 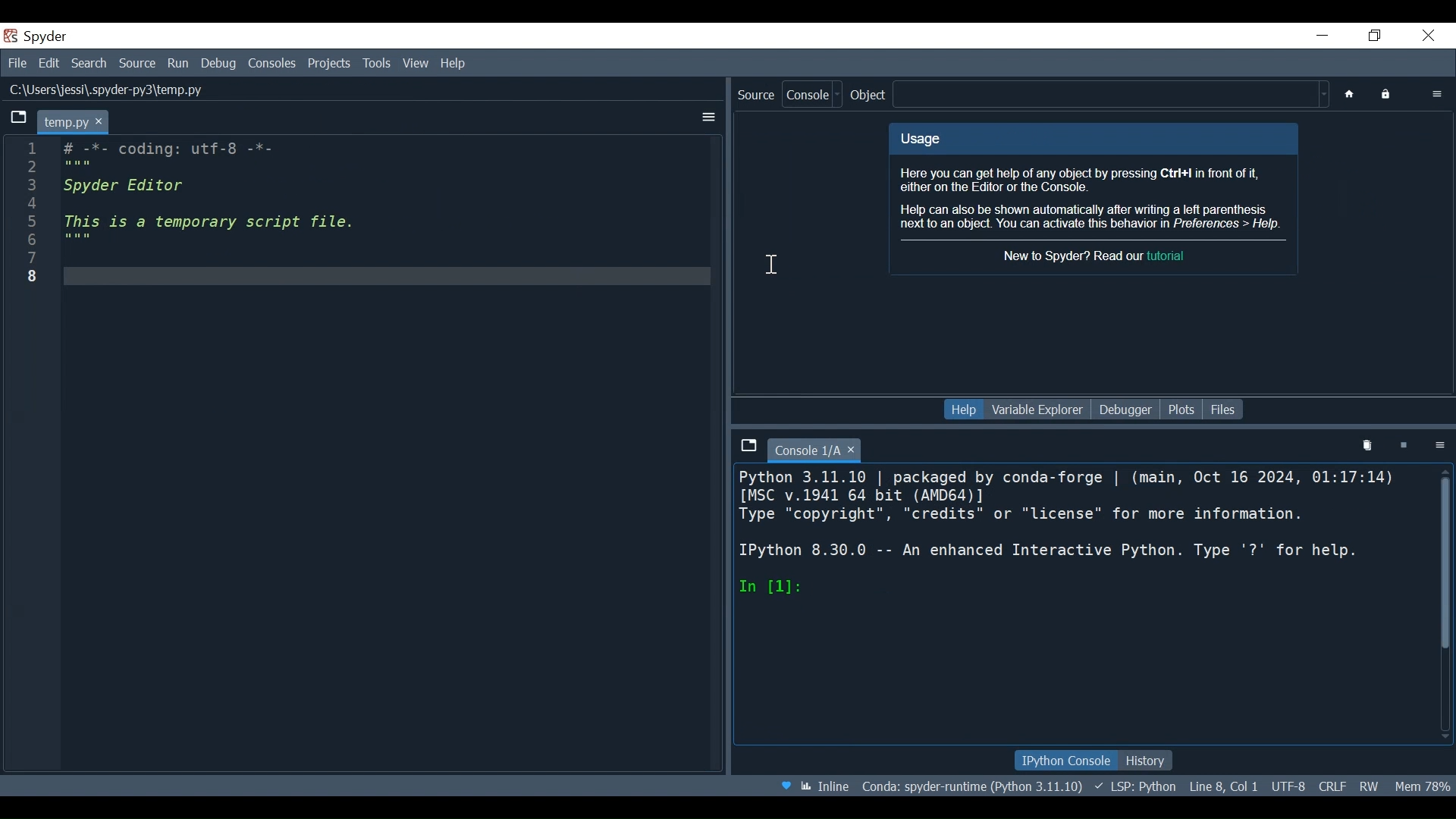 What do you see at coordinates (748, 446) in the screenshot?
I see `Browse tab` at bounding box center [748, 446].